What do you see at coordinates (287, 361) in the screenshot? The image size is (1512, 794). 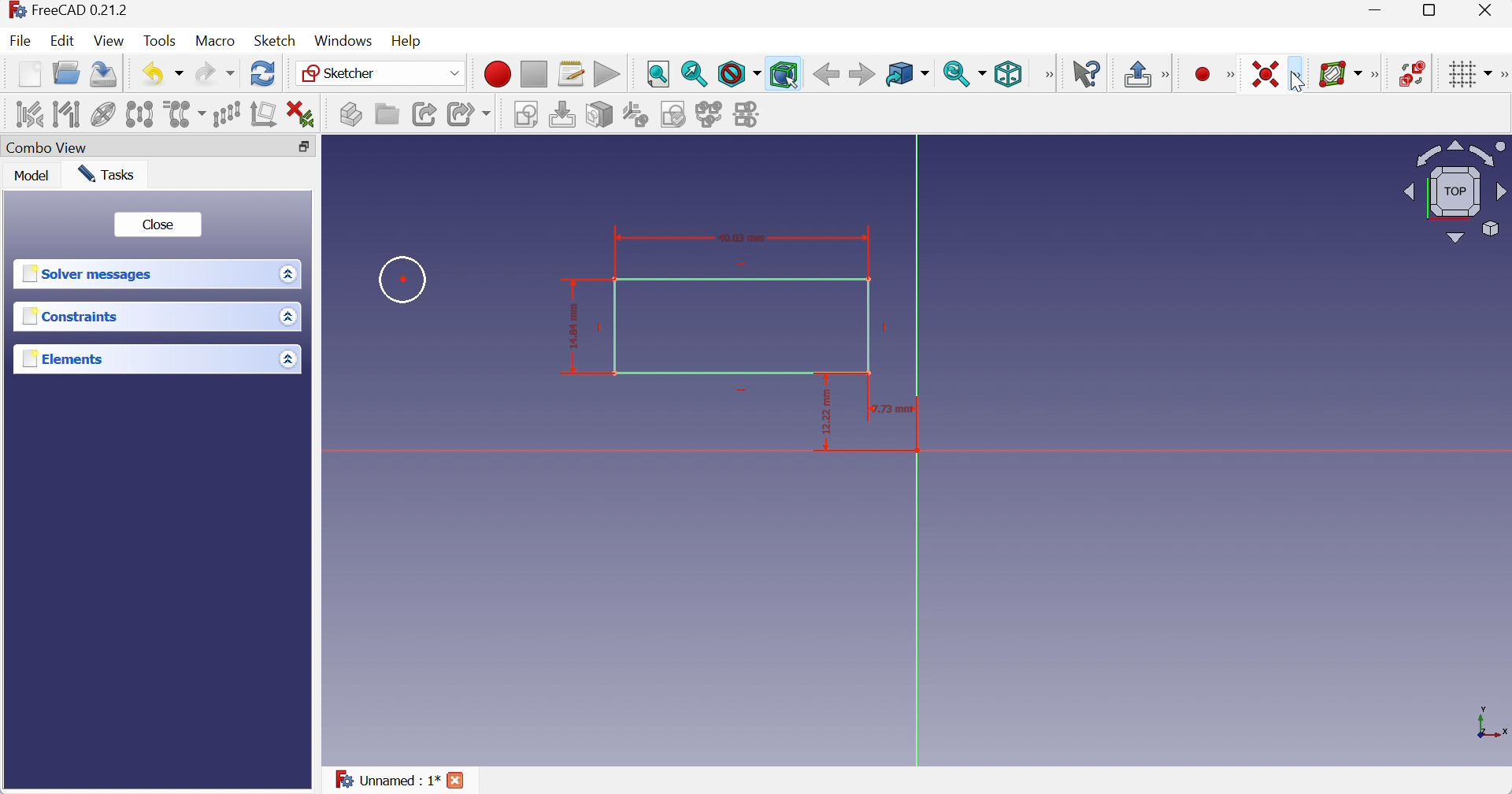 I see `Drop down` at bounding box center [287, 361].